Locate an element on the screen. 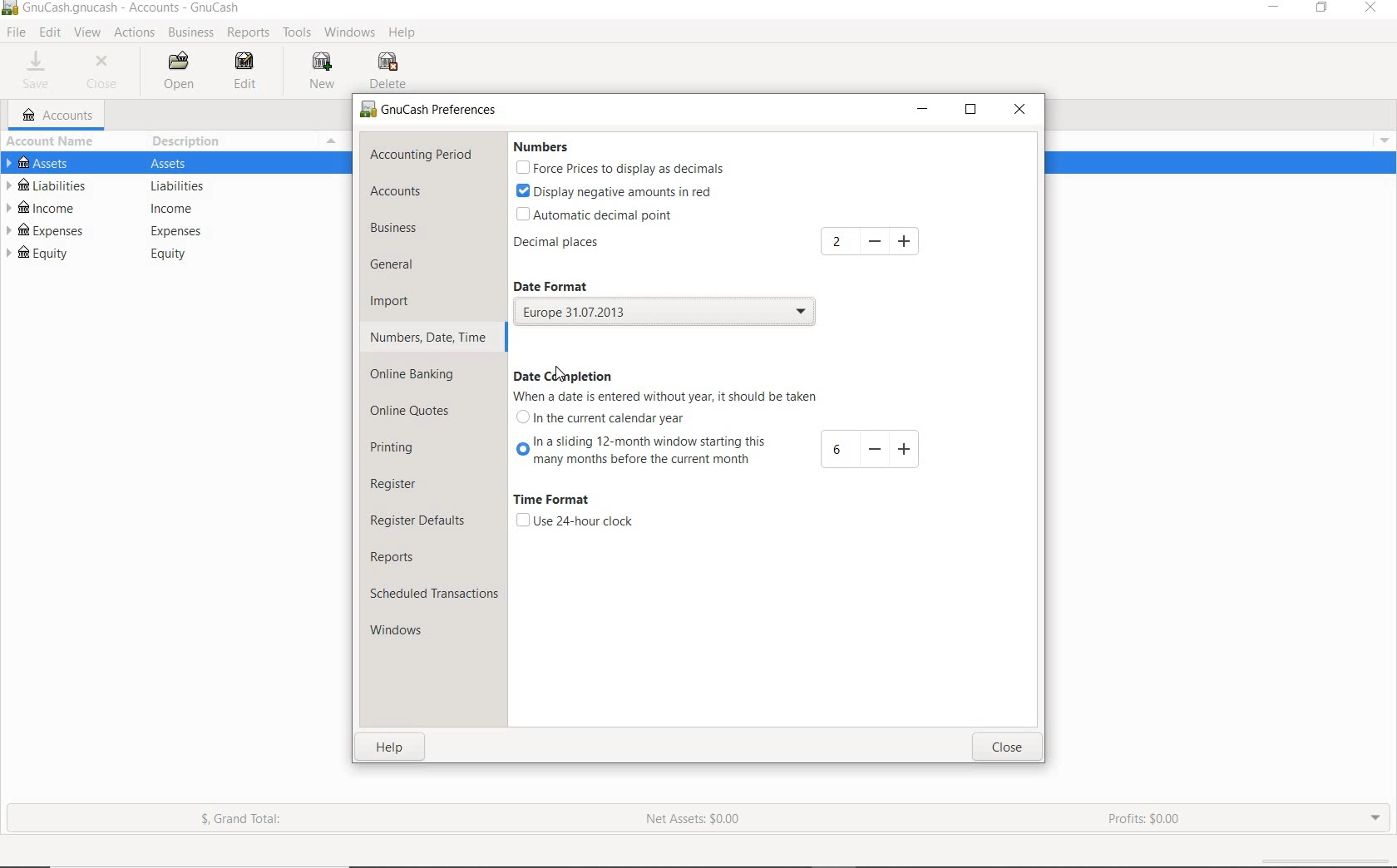 The width and height of the screenshot is (1397, 868). FILE is located at coordinates (17, 32).